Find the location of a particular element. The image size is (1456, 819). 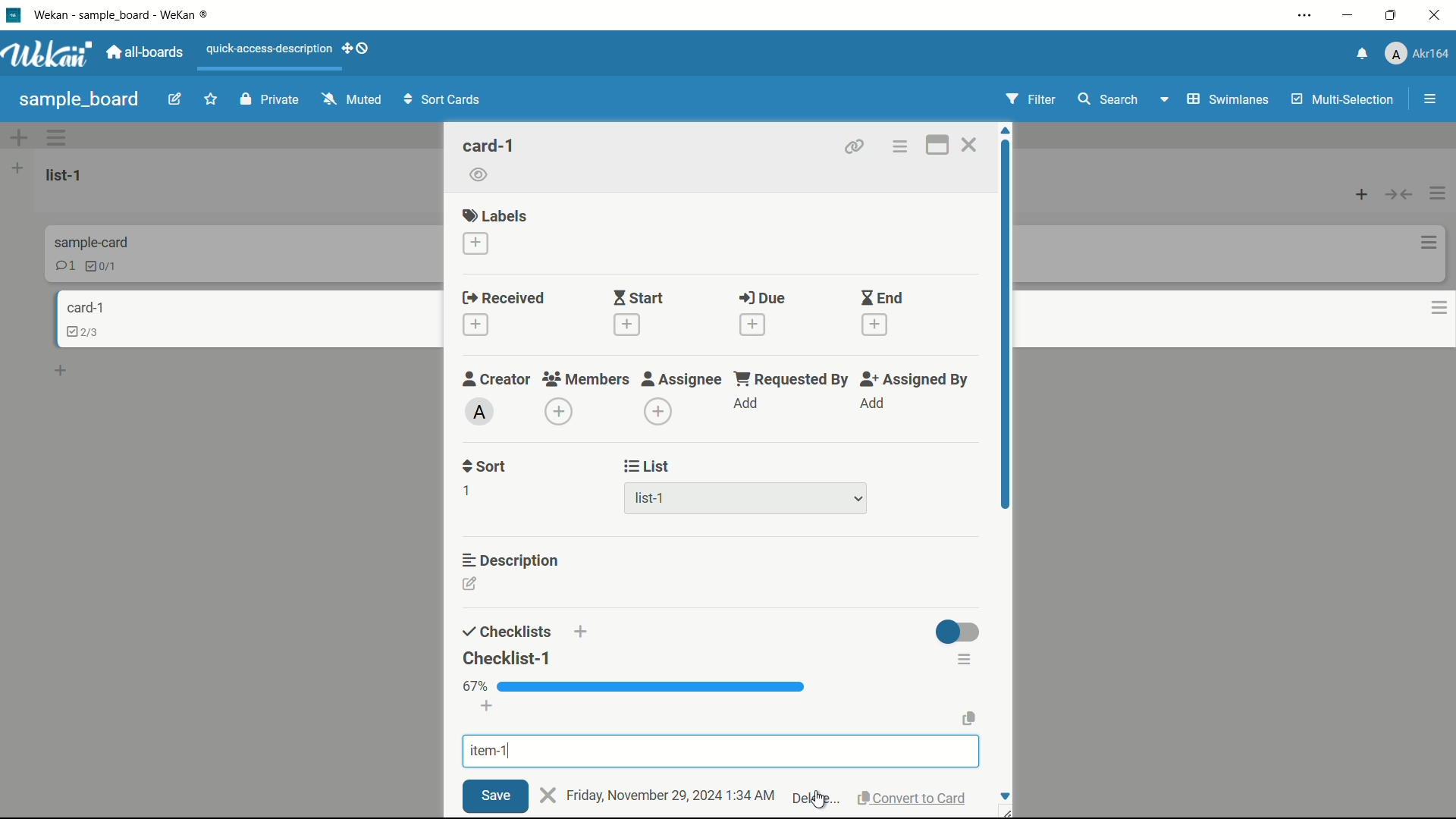

sample_board is located at coordinates (80, 99).